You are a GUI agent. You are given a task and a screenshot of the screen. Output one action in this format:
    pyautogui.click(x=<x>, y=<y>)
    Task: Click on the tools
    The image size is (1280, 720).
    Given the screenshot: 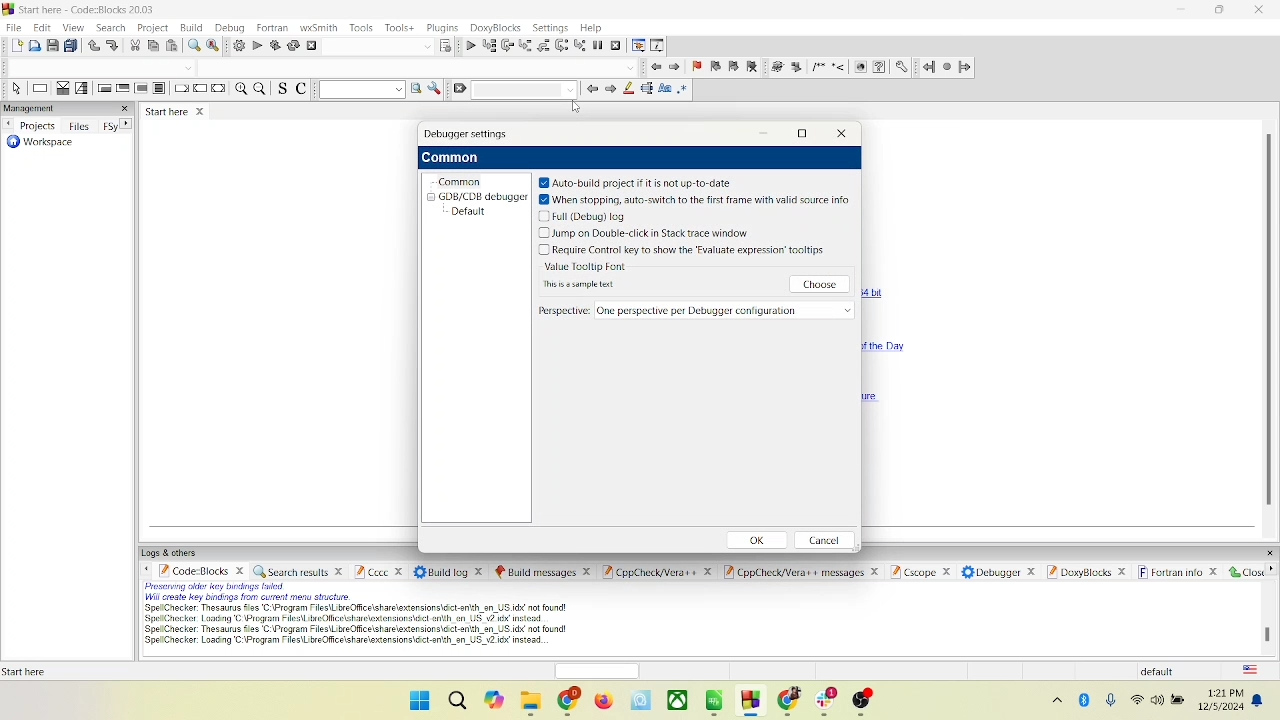 What is the action you would take?
    pyautogui.click(x=363, y=29)
    